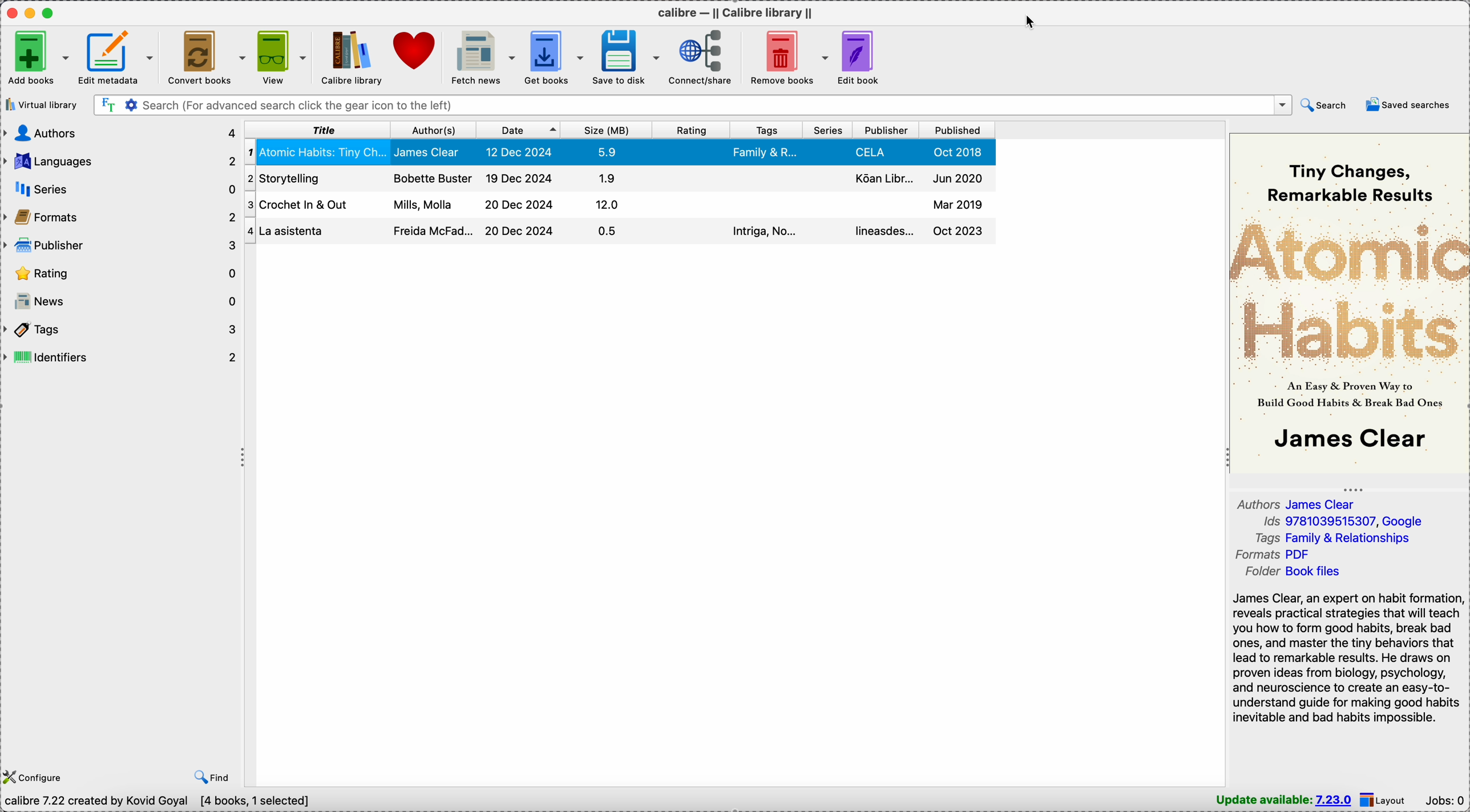 This screenshot has width=1470, height=812. I want to click on rating, so click(122, 273).